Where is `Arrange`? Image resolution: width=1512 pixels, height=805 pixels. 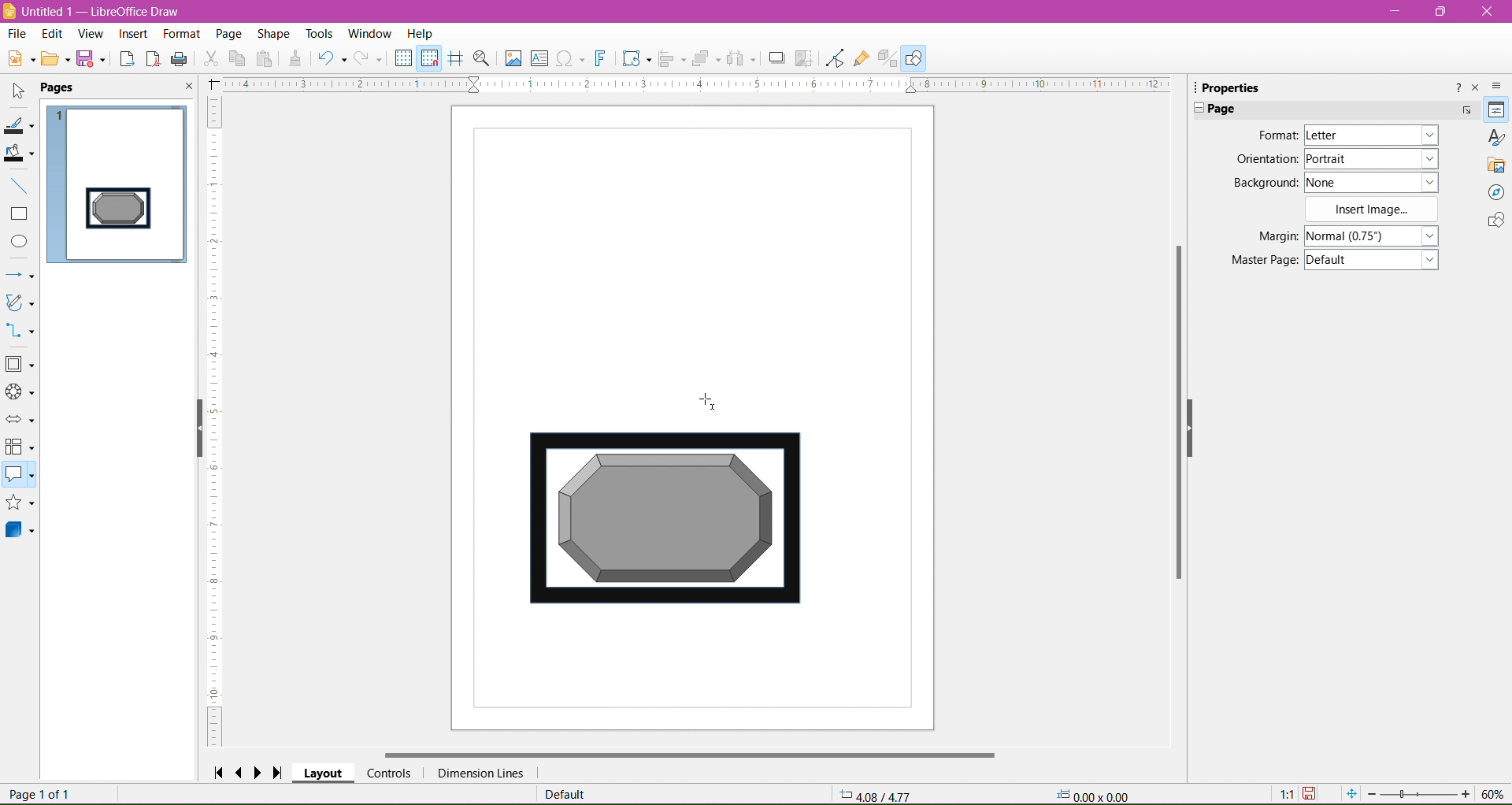
Arrange is located at coordinates (706, 57).